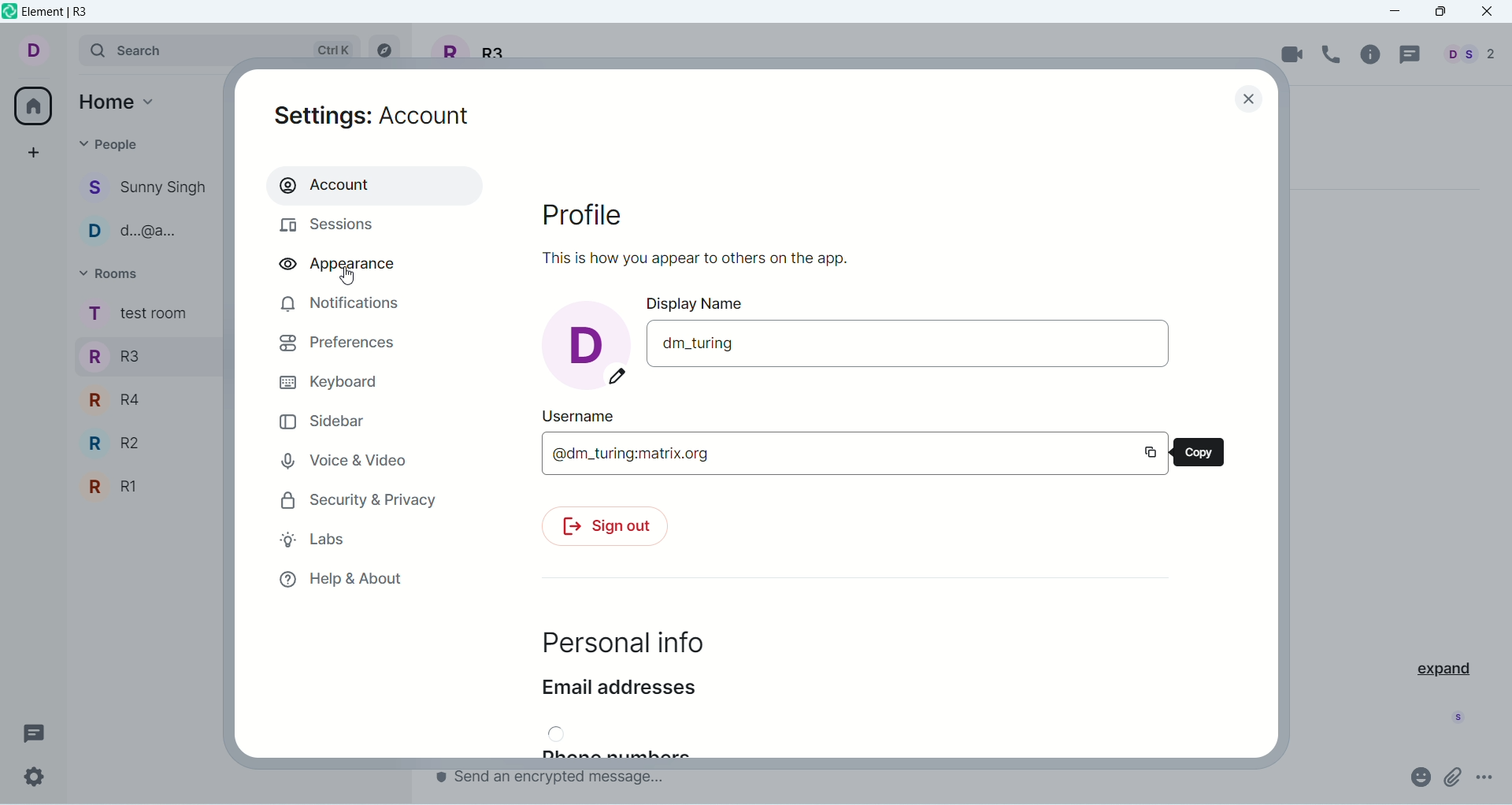  Describe the element at coordinates (1245, 99) in the screenshot. I see `close` at that location.